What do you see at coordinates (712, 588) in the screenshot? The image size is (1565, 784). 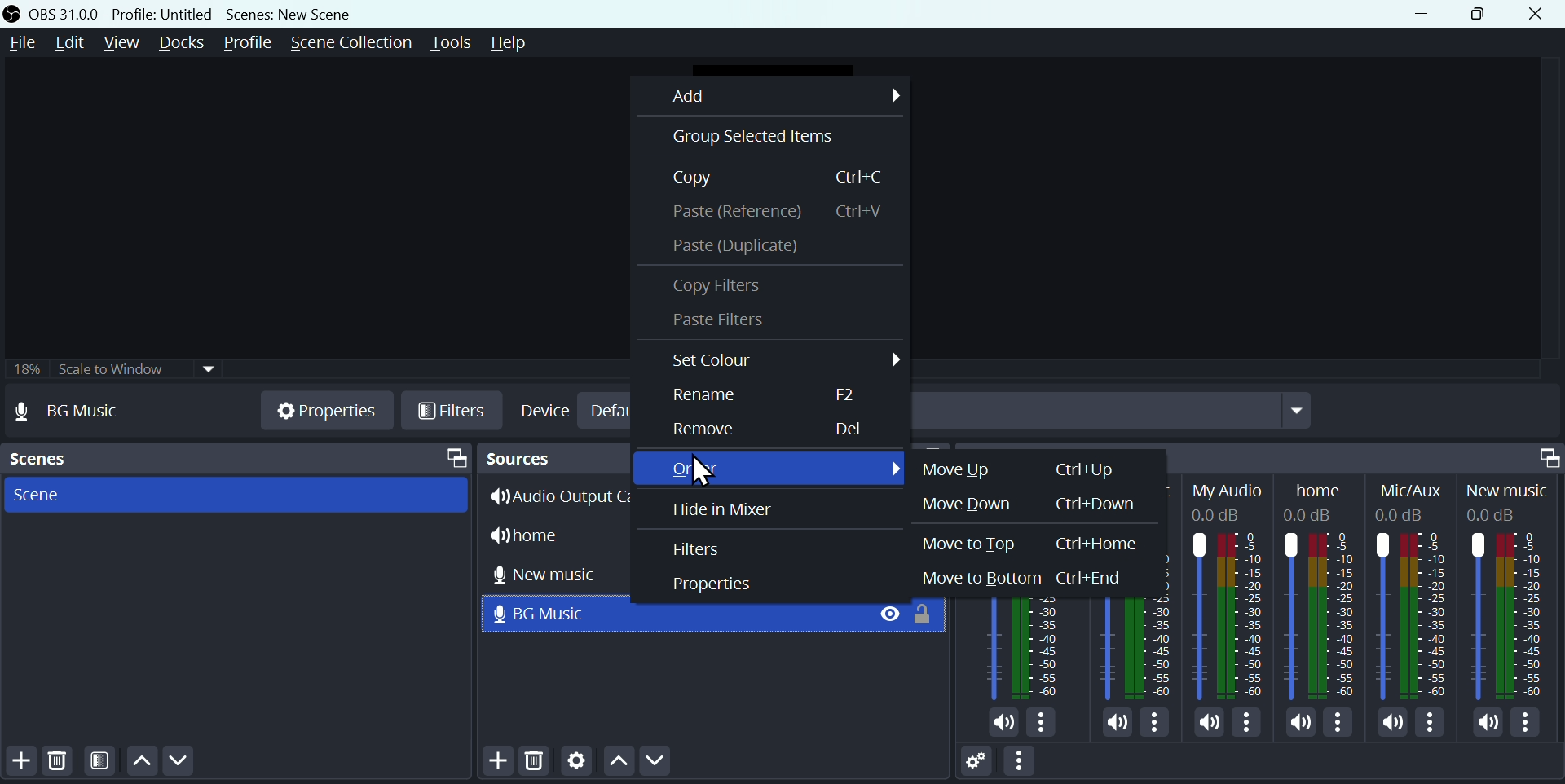 I see `Properties` at bounding box center [712, 588].